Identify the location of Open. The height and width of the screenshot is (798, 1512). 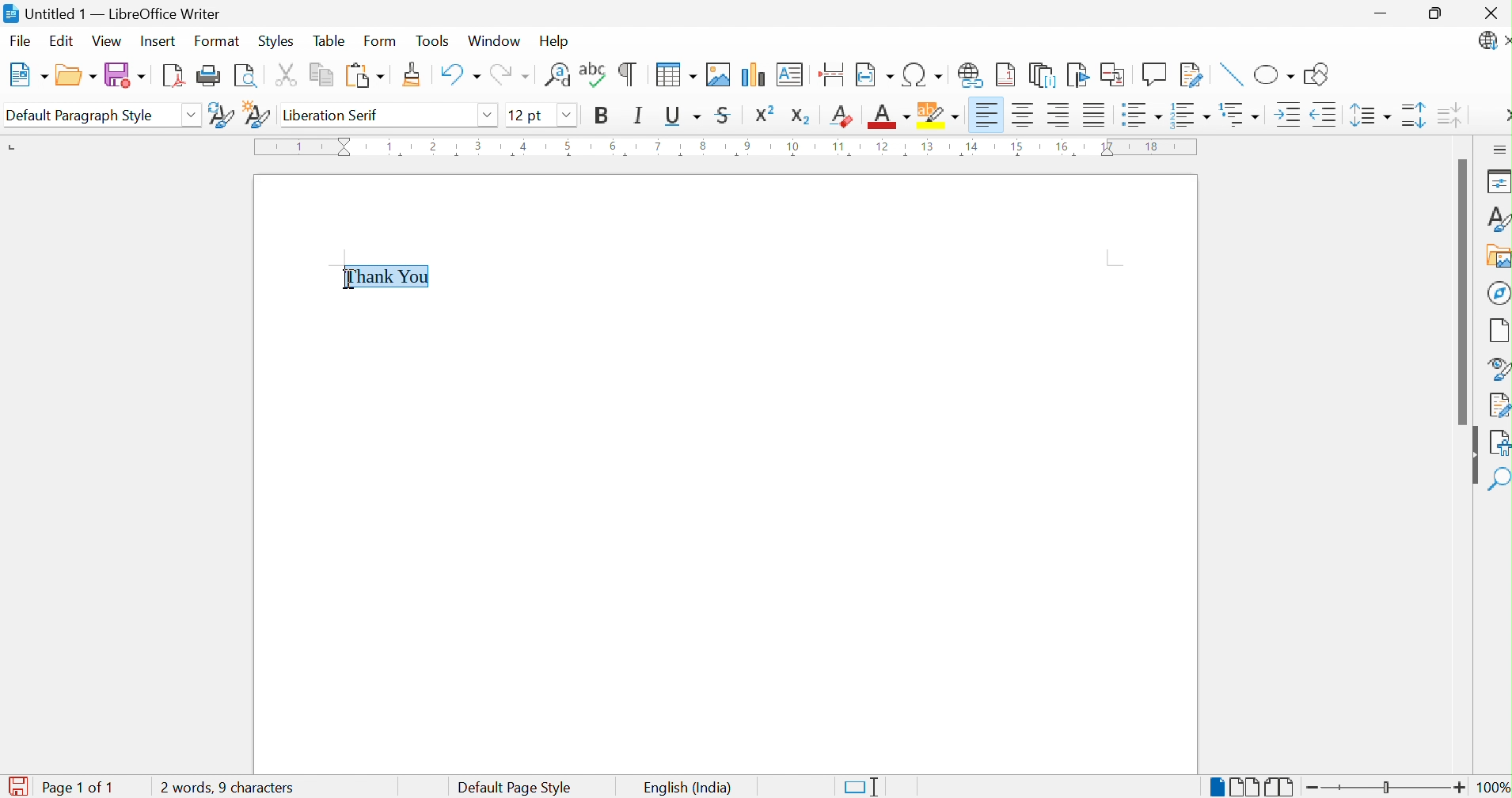
(77, 74).